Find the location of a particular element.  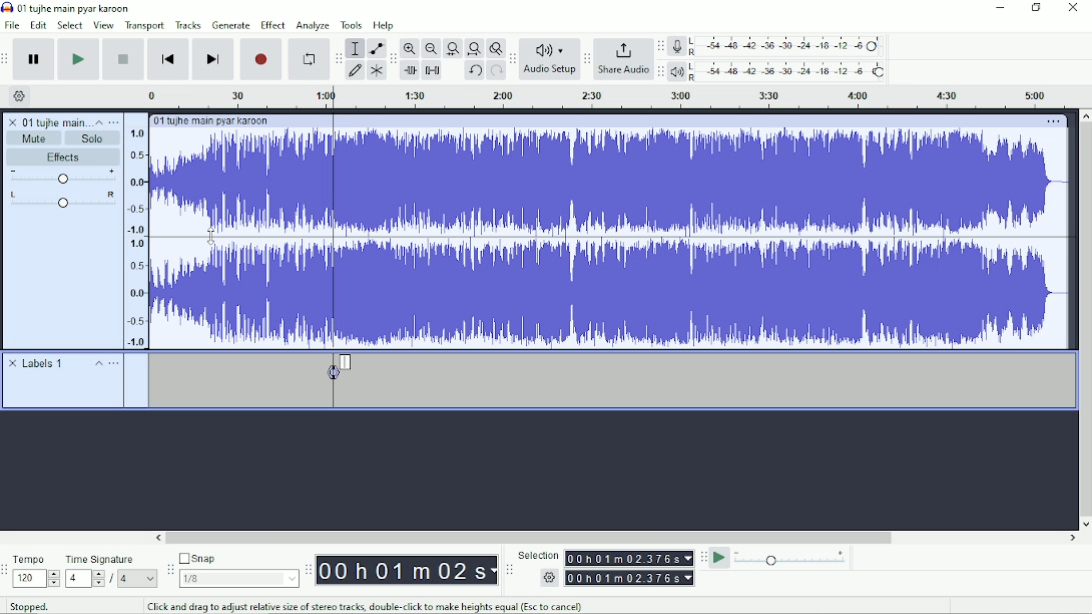

Audacity play-at-speed is located at coordinates (703, 558).